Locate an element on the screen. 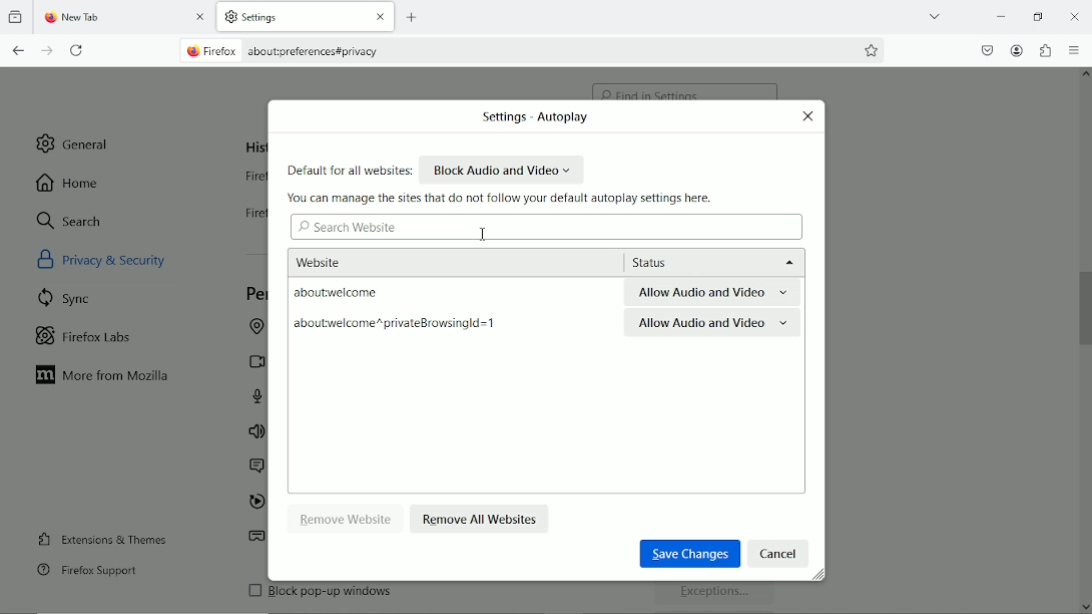  close is located at coordinates (378, 18).